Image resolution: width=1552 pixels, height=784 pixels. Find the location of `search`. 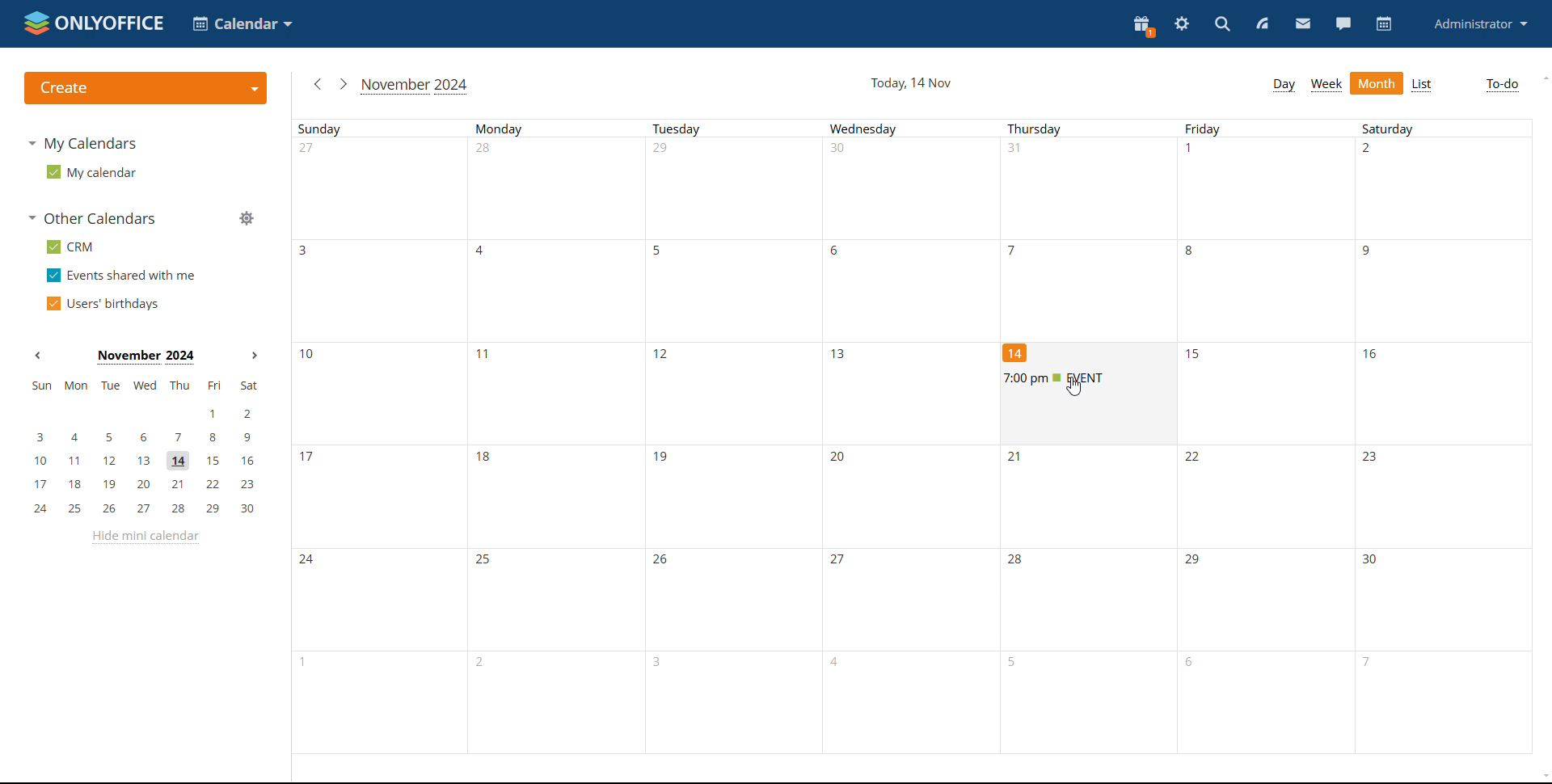

search is located at coordinates (1221, 23).